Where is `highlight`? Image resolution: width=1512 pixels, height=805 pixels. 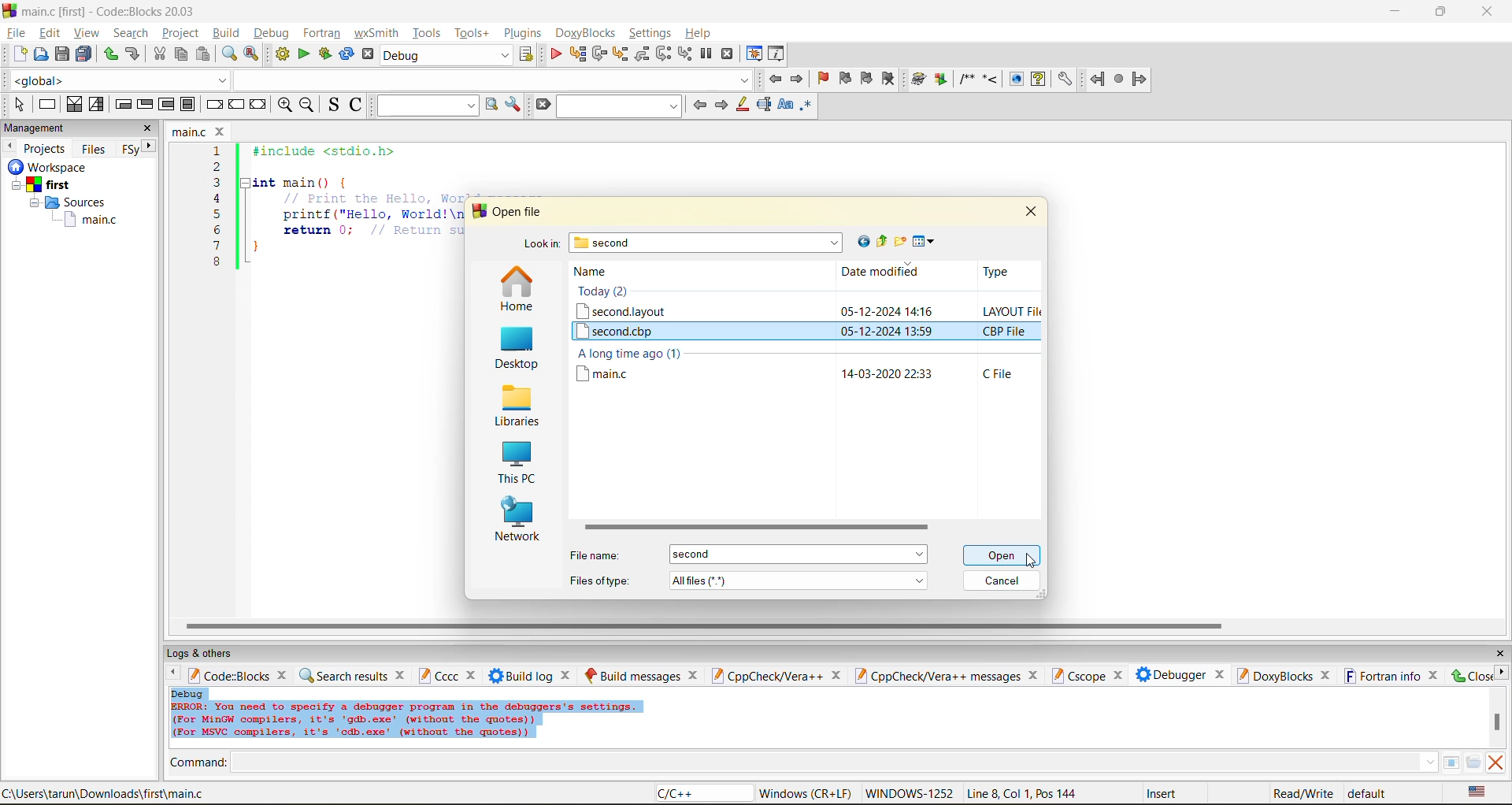 highlight is located at coordinates (741, 106).